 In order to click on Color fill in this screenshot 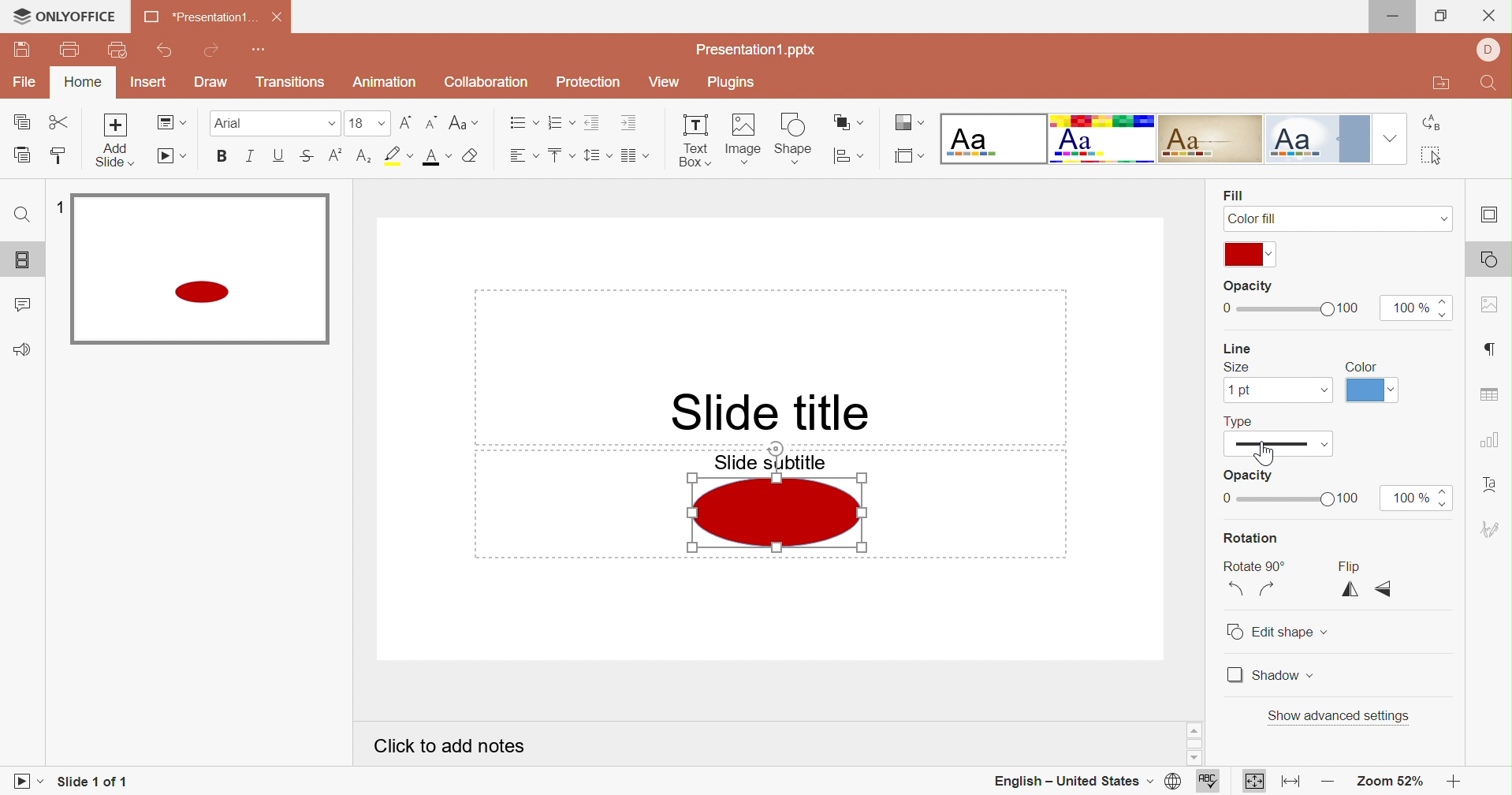, I will do `click(1337, 219)`.